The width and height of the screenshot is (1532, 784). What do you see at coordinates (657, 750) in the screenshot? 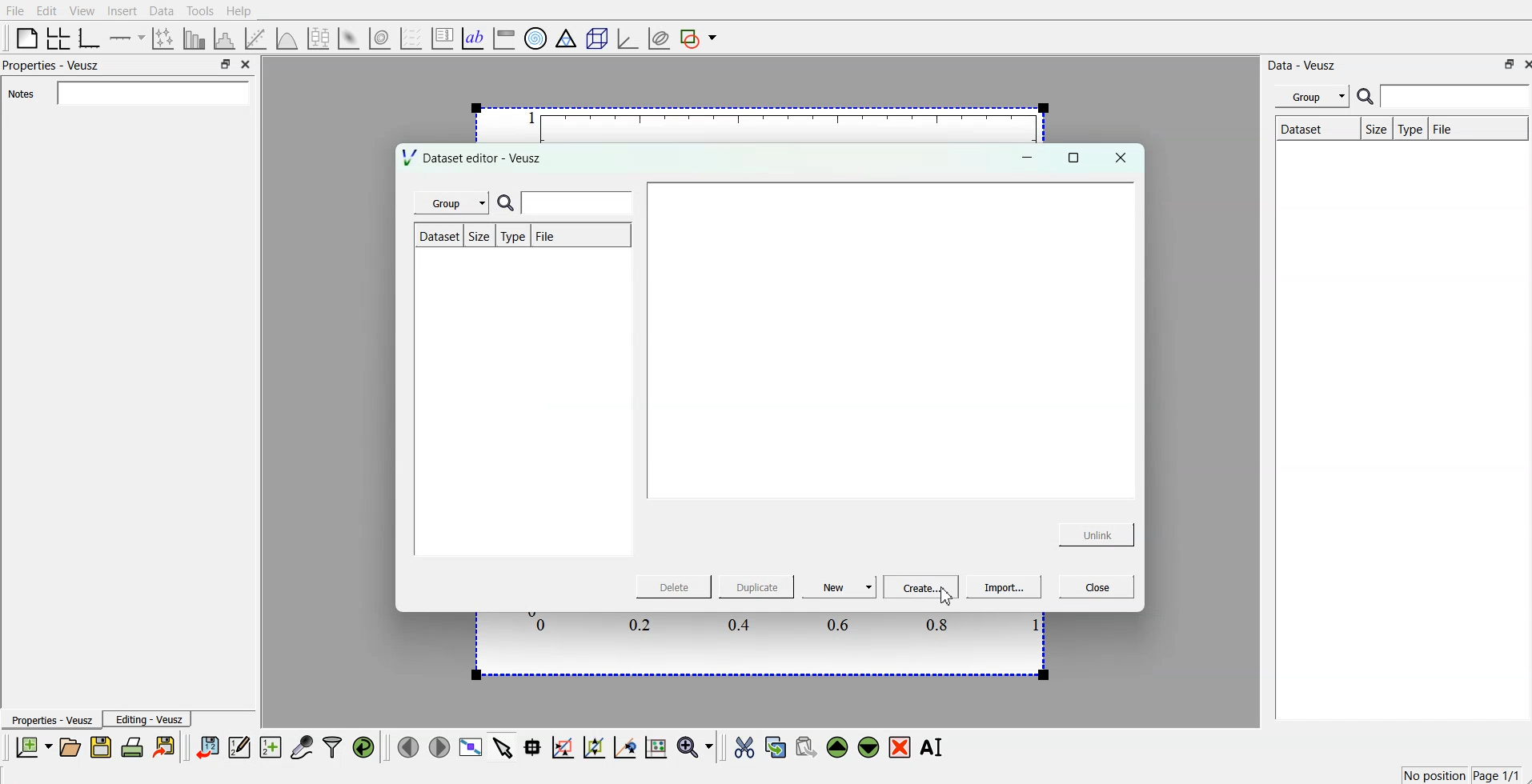
I see `reset graph axes` at bounding box center [657, 750].